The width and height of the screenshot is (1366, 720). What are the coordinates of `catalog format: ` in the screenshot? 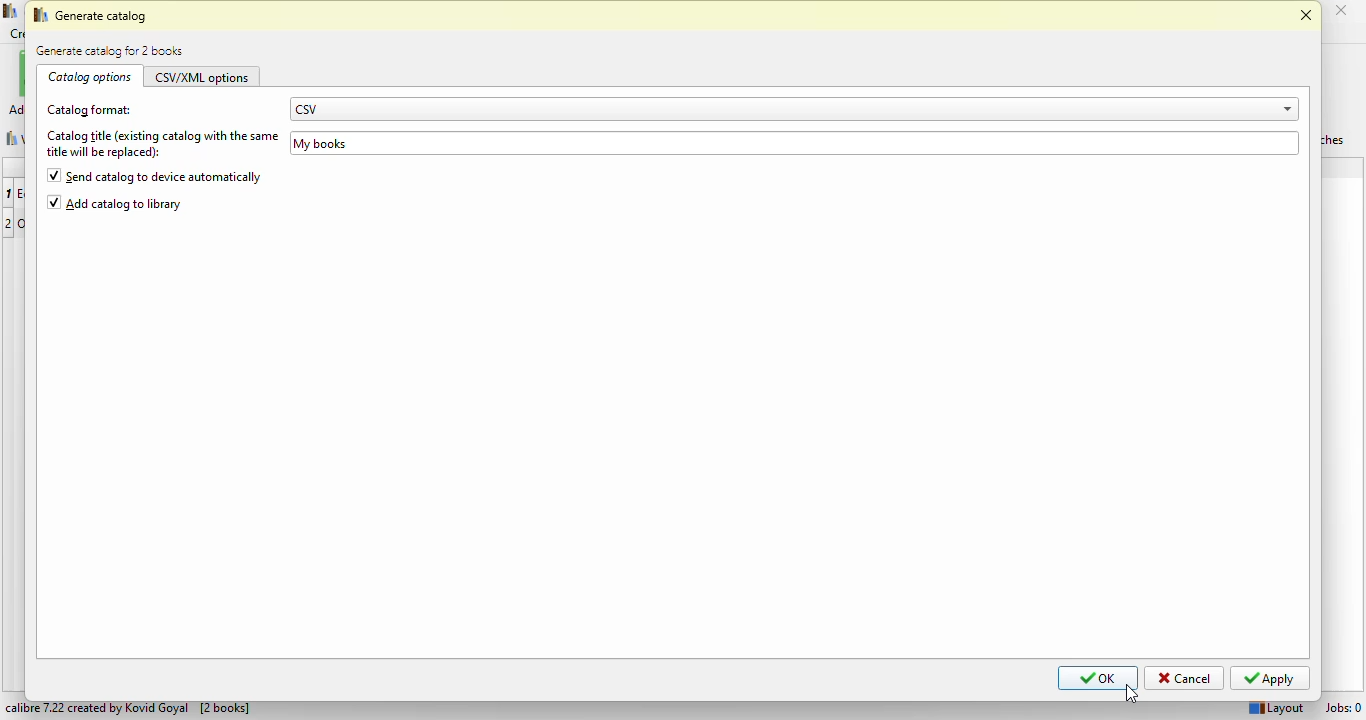 It's located at (89, 110).